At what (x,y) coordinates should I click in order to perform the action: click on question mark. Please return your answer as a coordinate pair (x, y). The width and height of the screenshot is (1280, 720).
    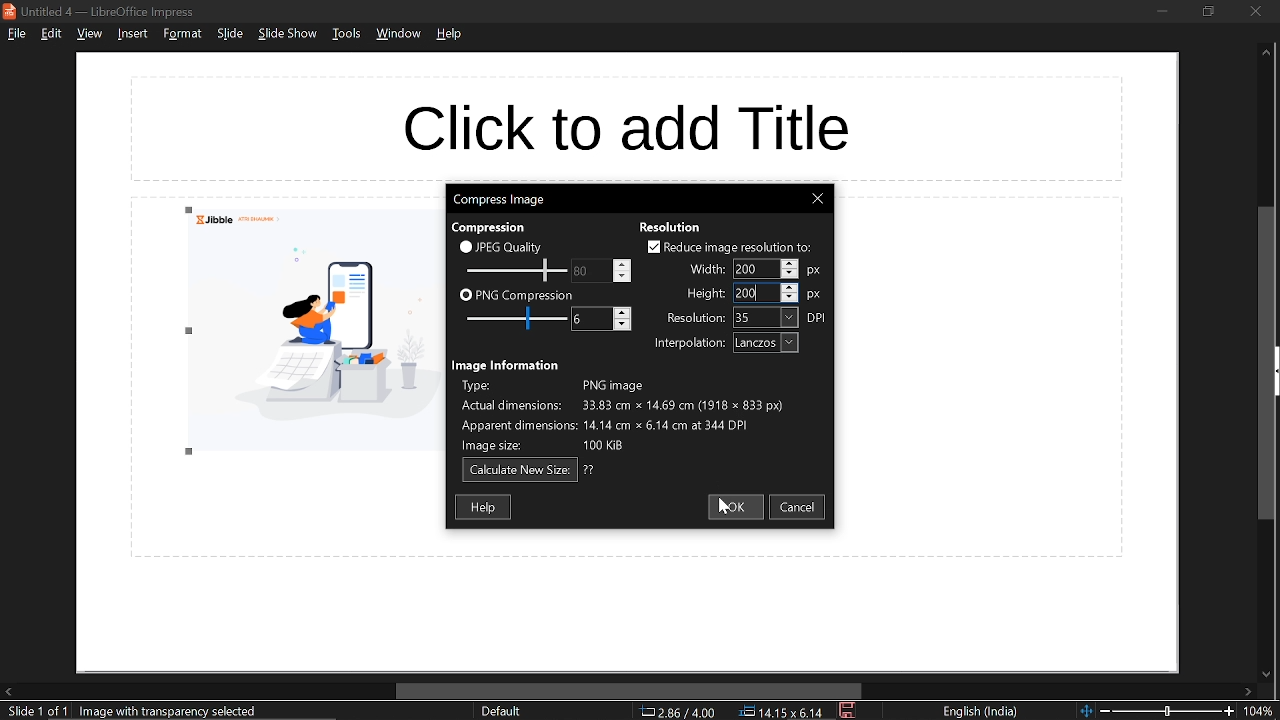
    Looking at the image, I should click on (590, 470).